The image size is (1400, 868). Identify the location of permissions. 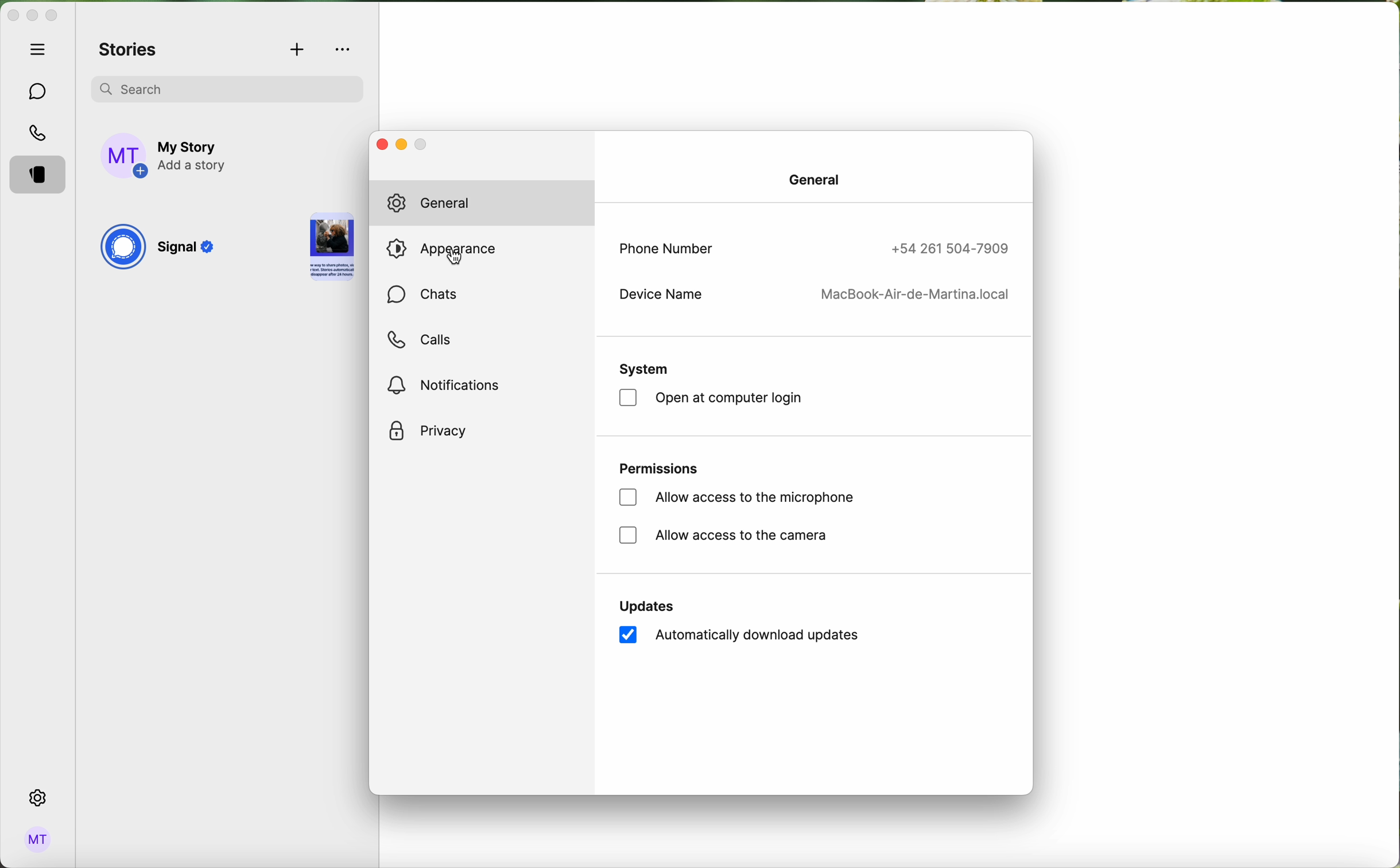
(661, 468).